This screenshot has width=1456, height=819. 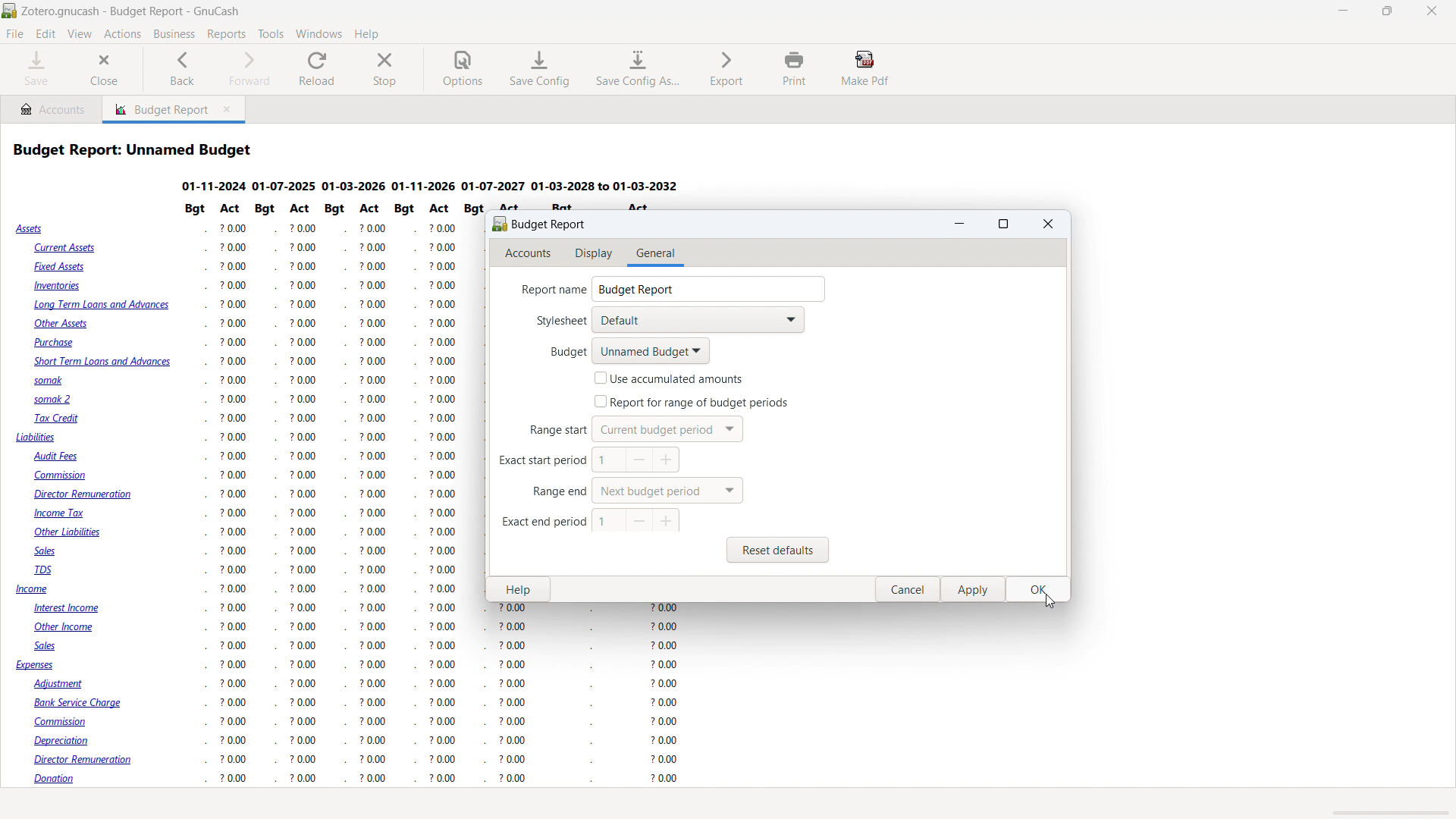 What do you see at coordinates (636, 69) in the screenshot?
I see `save configuration as` at bounding box center [636, 69].